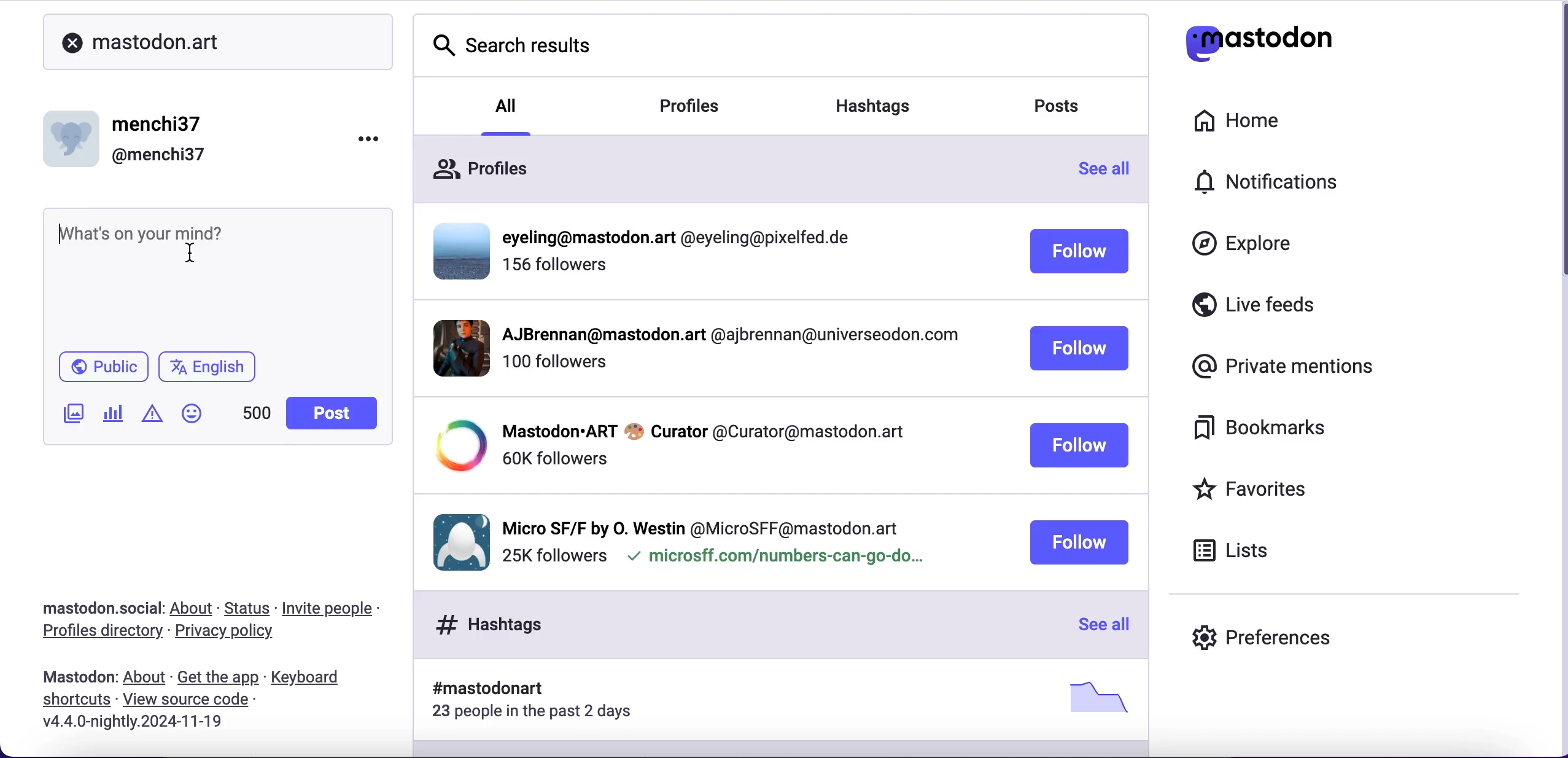 The height and width of the screenshot is (758, 1568). Describe the element at coordinates (98, 607) in the screenshot. I see `mastodon.social` at that location.